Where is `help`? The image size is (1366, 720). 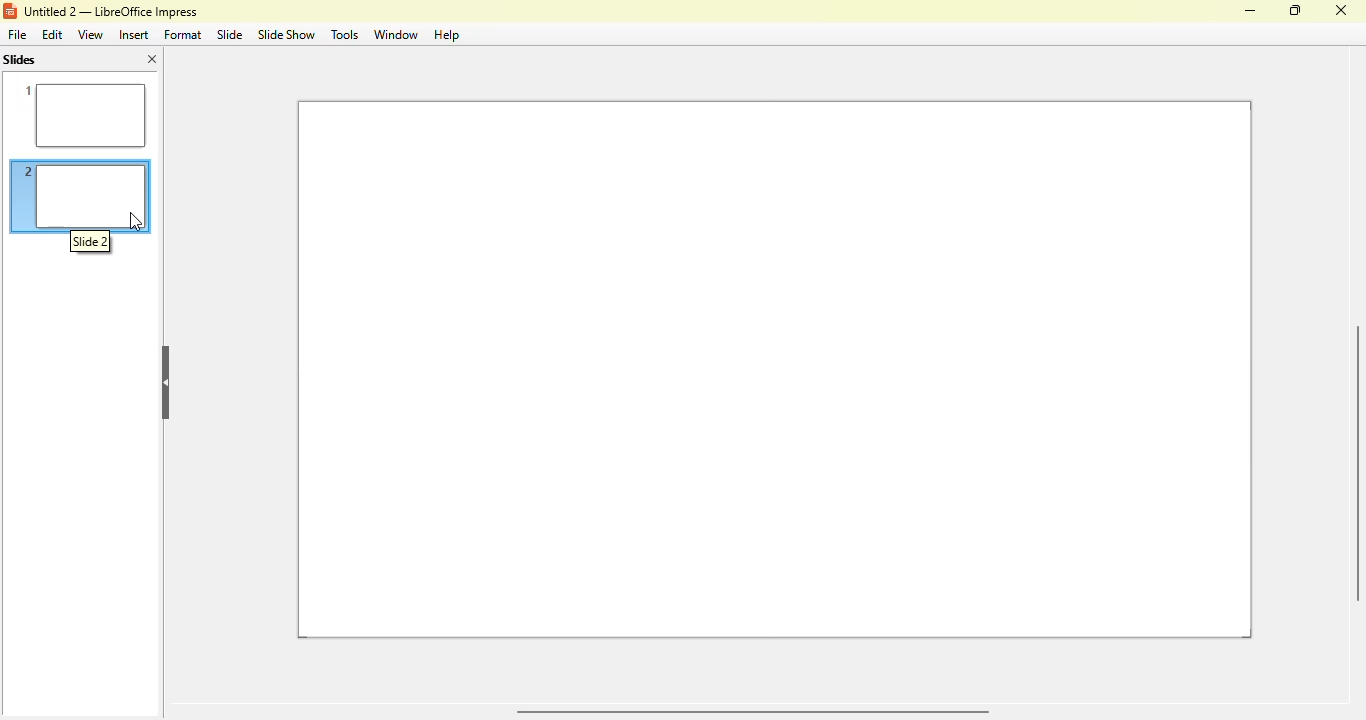
help is located at coordinates (447, 35).